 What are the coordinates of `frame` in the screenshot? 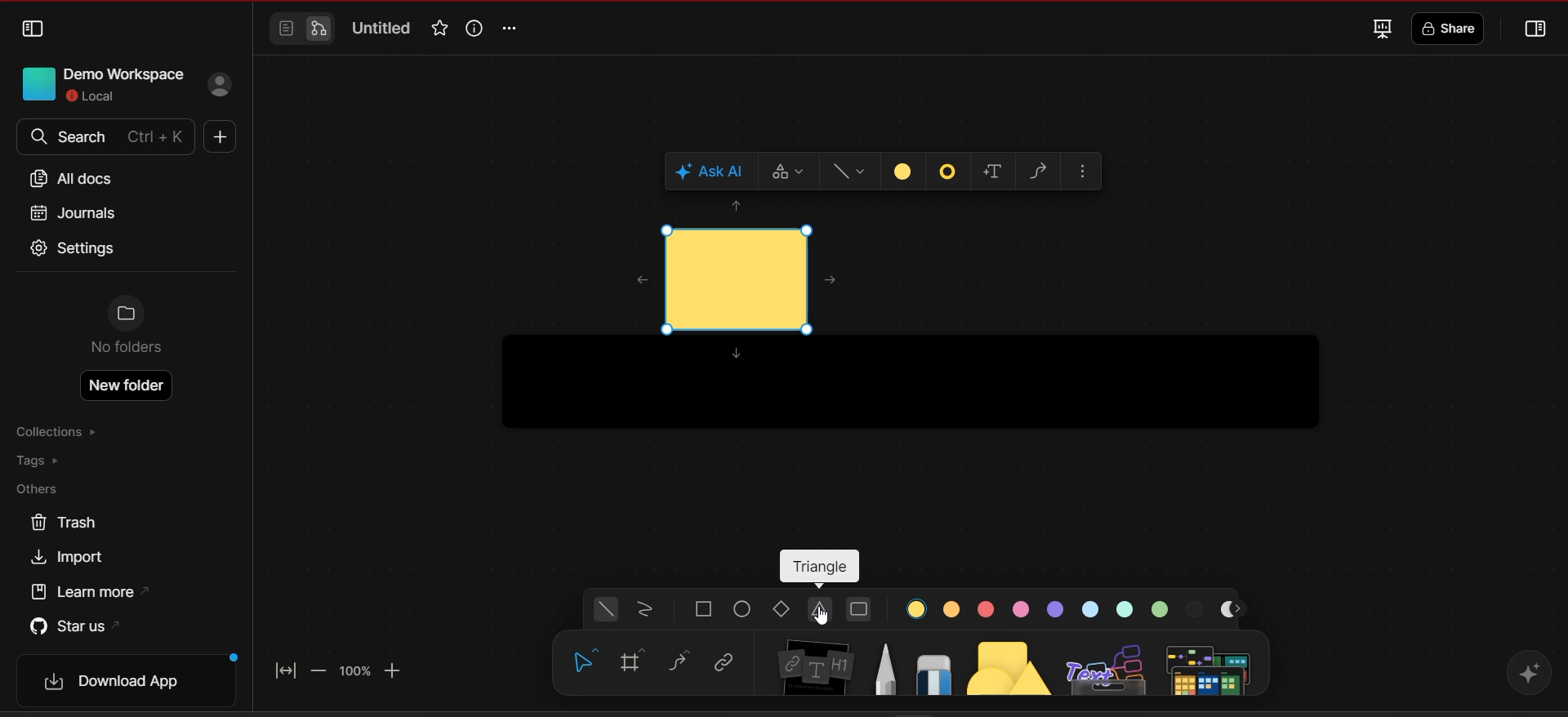 It's located at (638, 662).